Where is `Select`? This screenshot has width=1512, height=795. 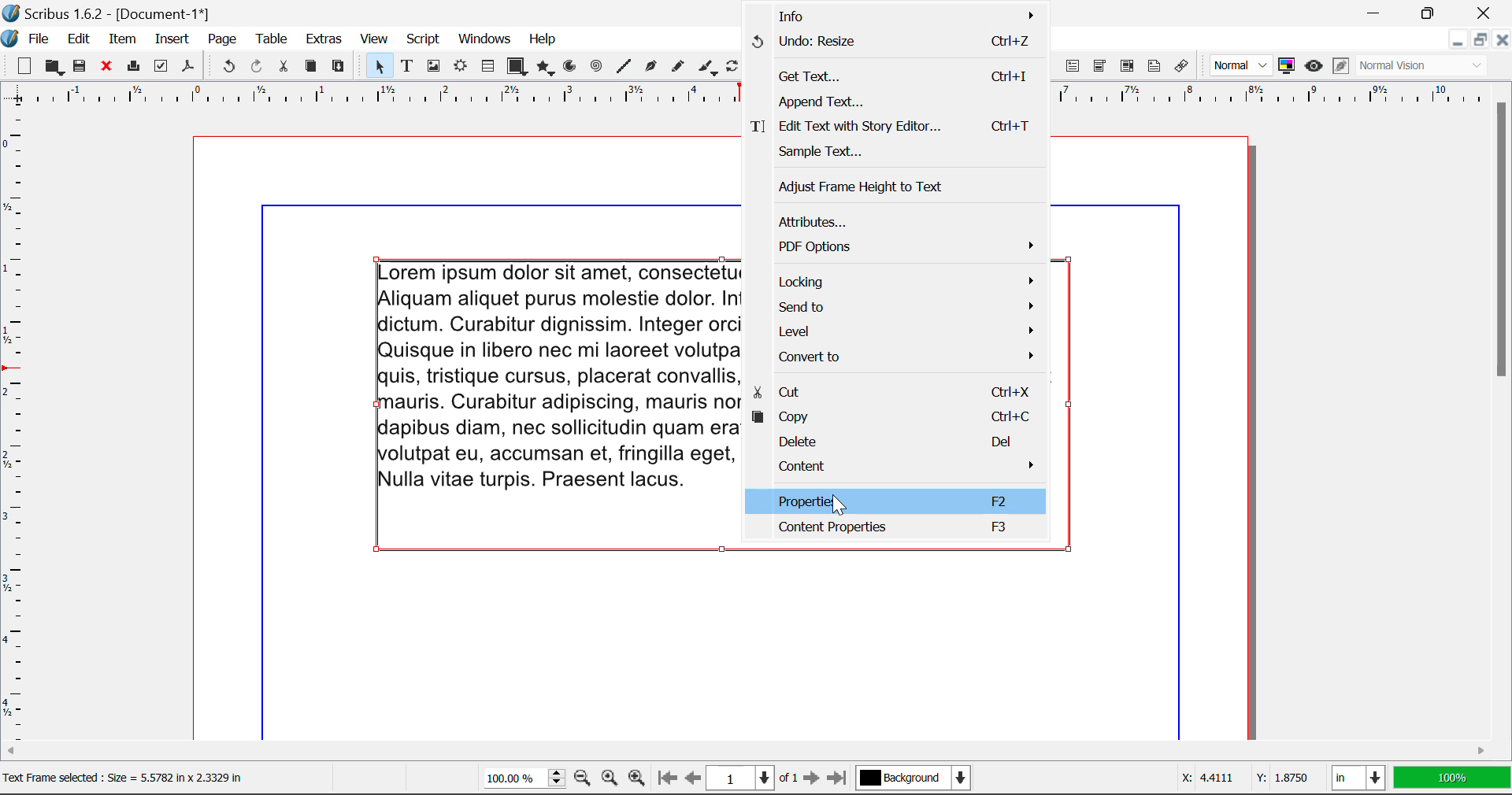
Select is located at coordinates (378, 66).